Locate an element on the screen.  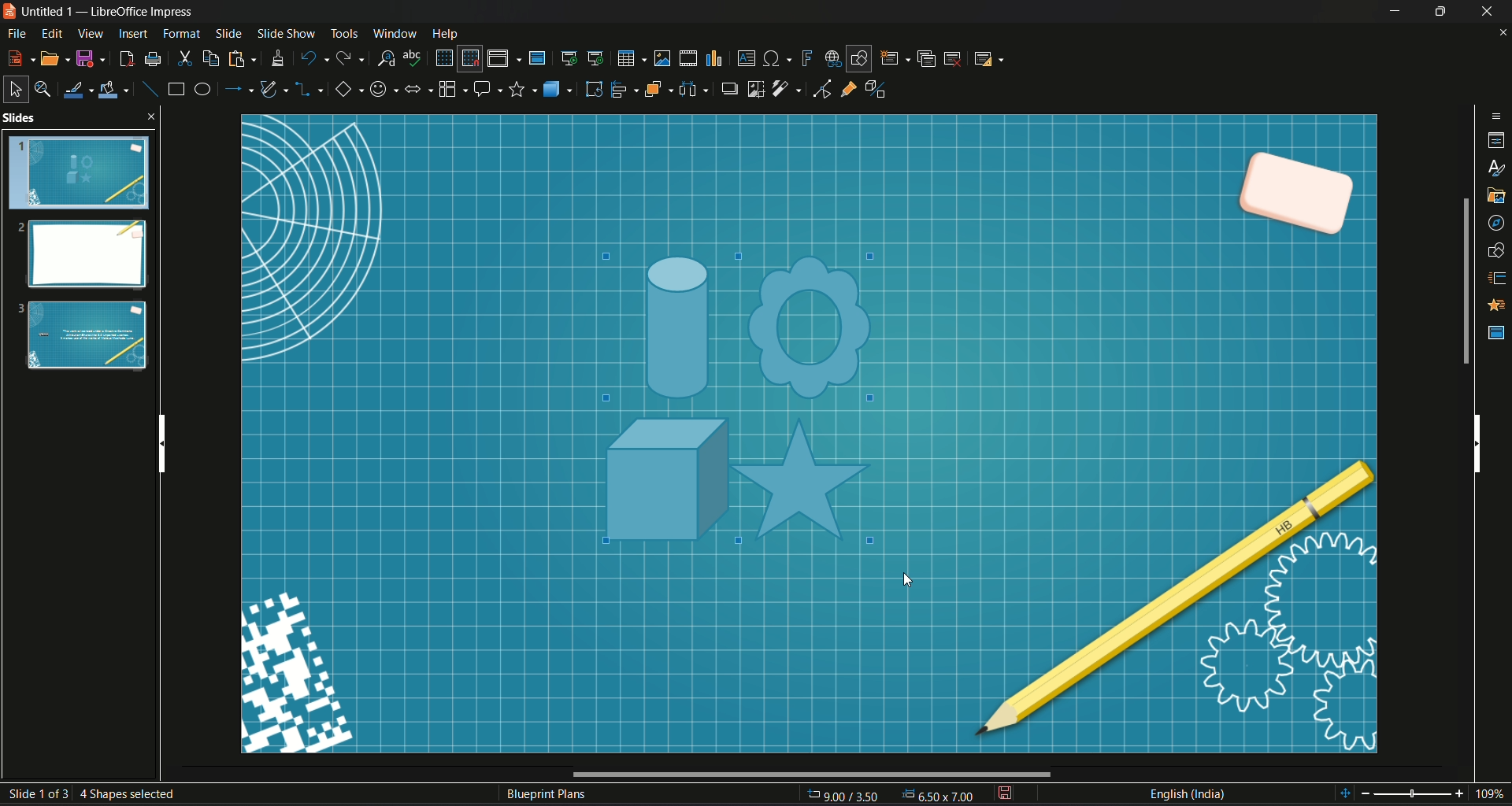
filter is located at coordinates (787, 89).